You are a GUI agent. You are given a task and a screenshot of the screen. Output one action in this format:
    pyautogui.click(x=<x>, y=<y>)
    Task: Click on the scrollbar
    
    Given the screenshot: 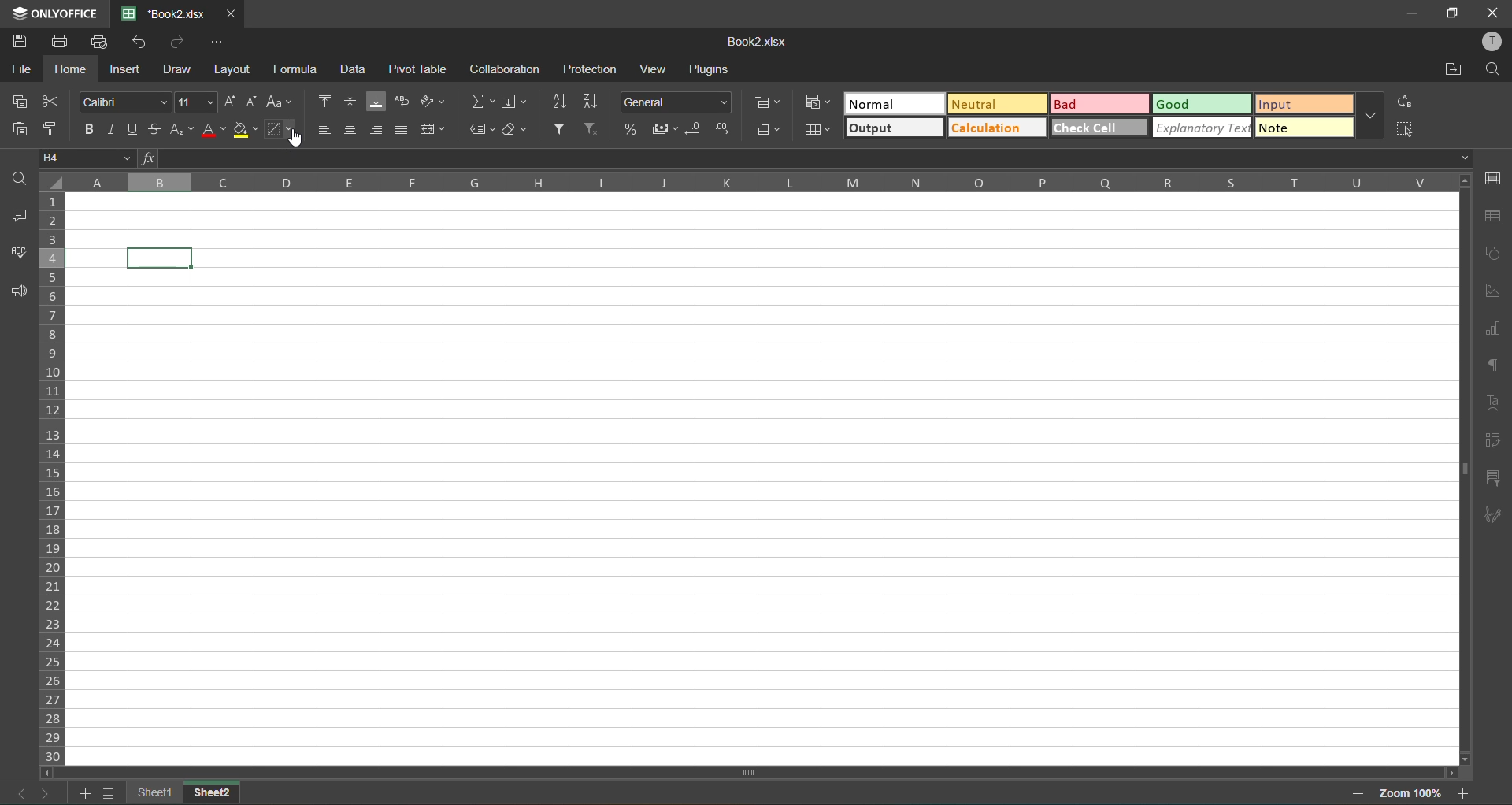 What is the action you would take?
    pyautogui.click(x=1466, y=469)
    